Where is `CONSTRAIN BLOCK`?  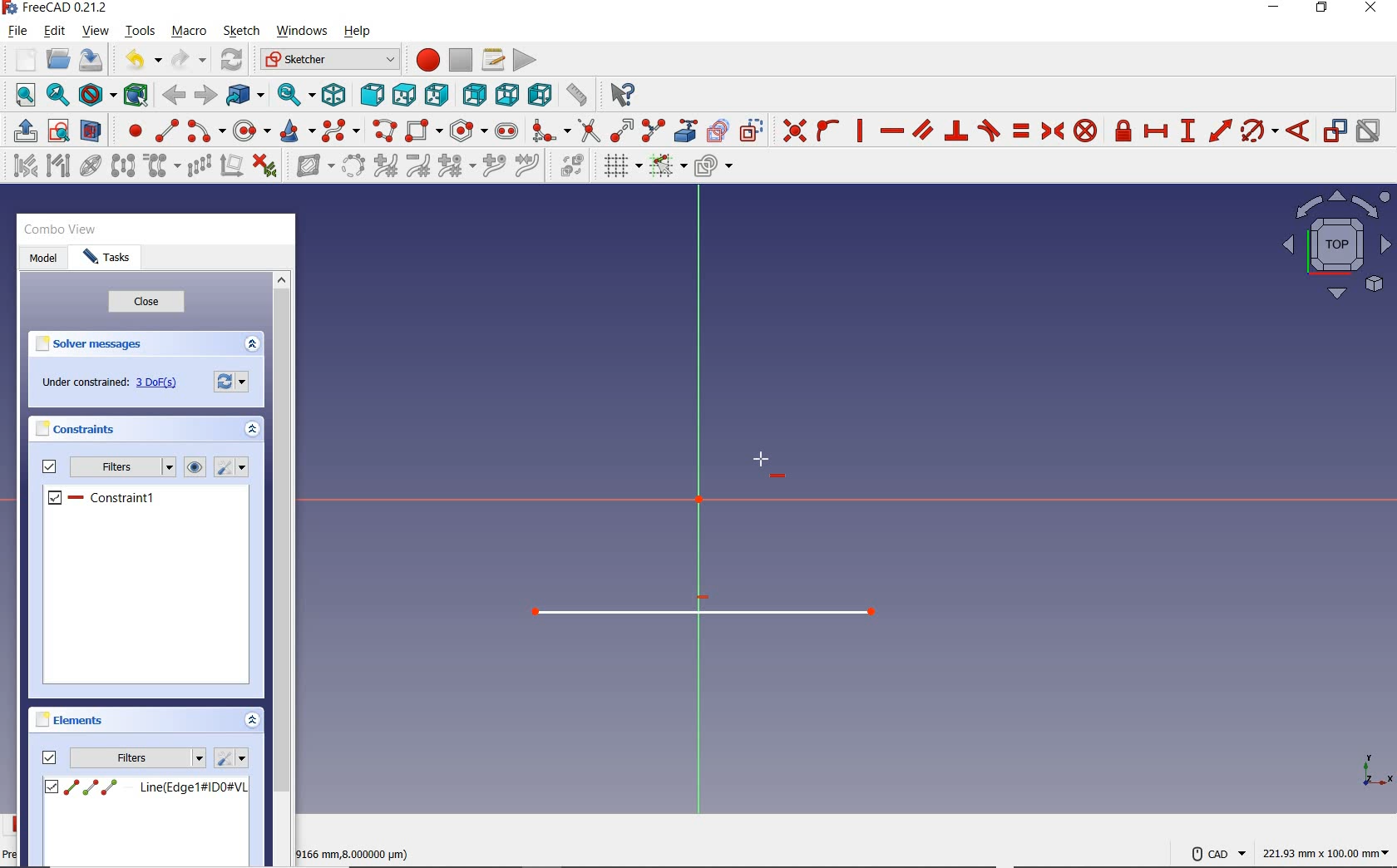
CONSTRAIN BLOCK is located at coordinates (1086, 131).